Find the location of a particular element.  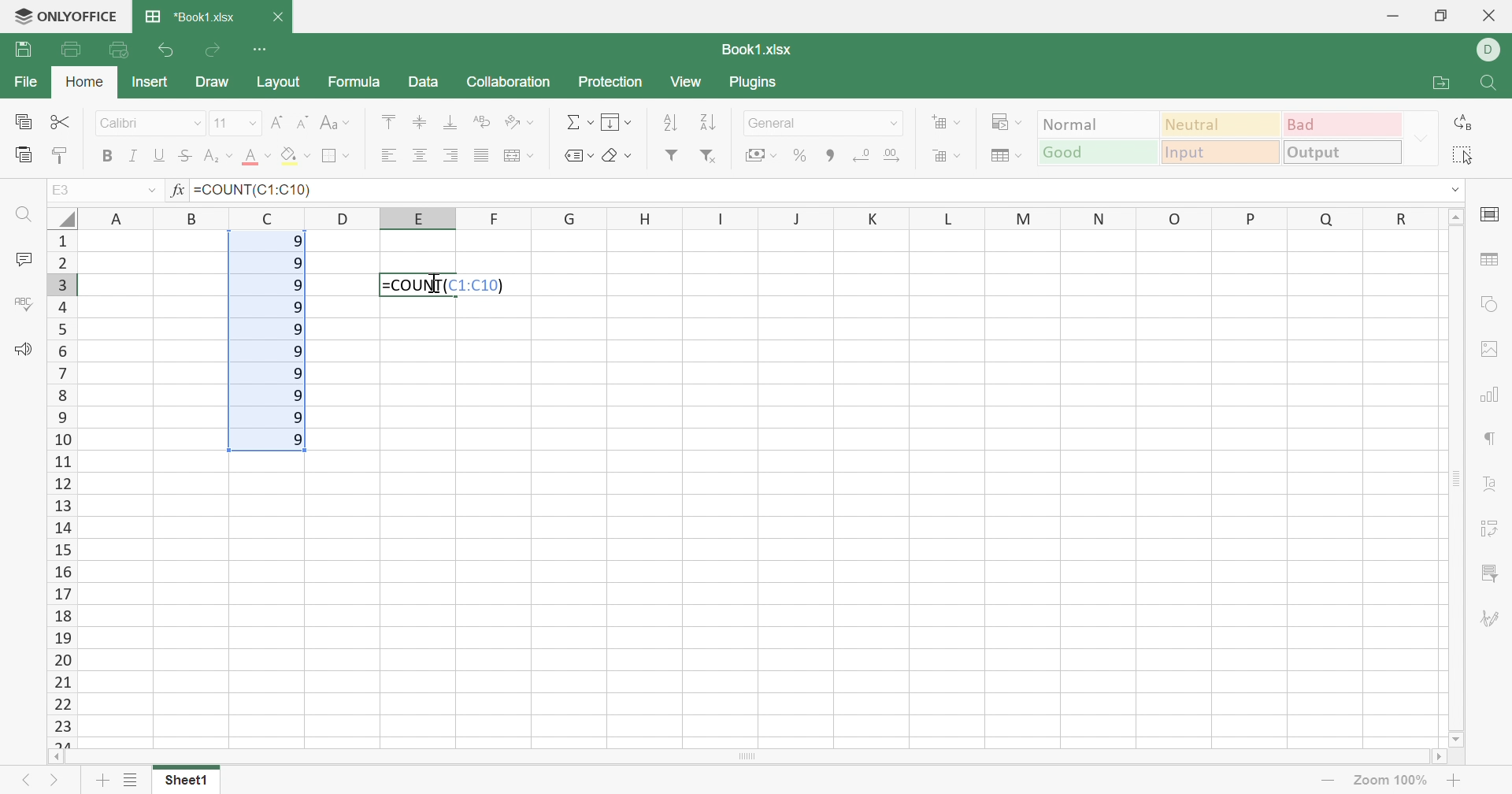

Add sheet is located at coordinates (103, 780).